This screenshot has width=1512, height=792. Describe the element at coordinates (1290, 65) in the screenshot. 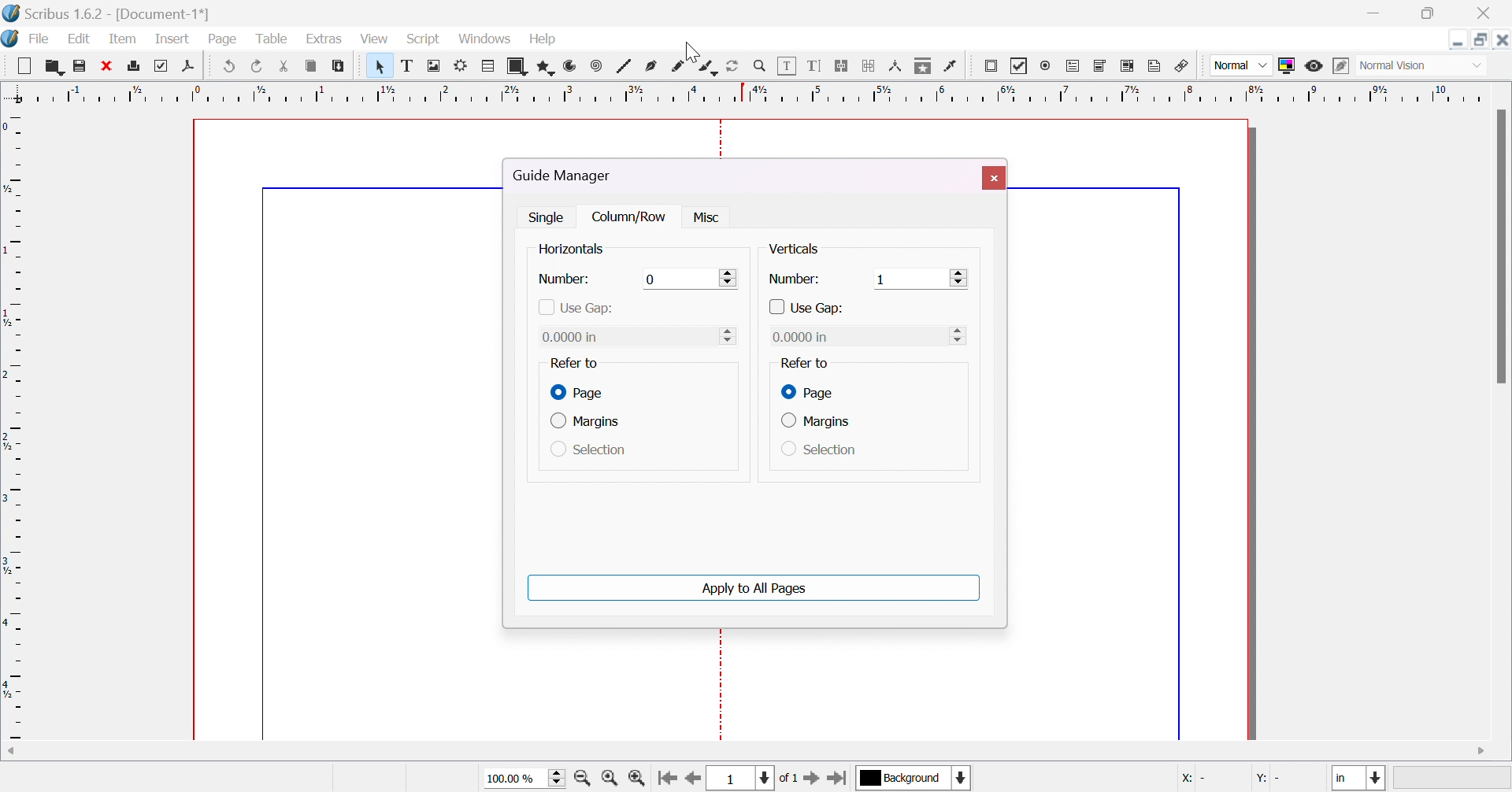

I see `toggle color management system` at that location.